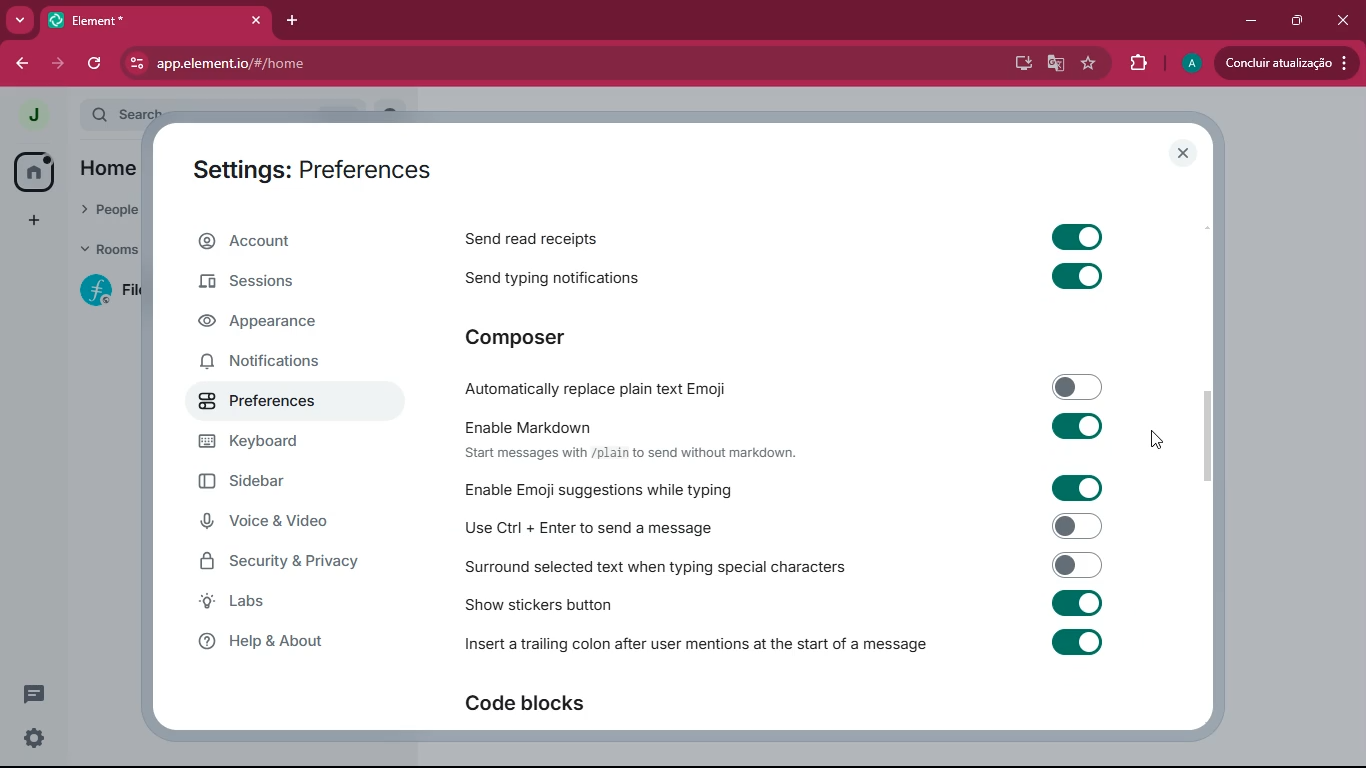  What do you see at coordinates (37, 691) in the screenshot?
I see `comments` at bounding box center [37, 691].